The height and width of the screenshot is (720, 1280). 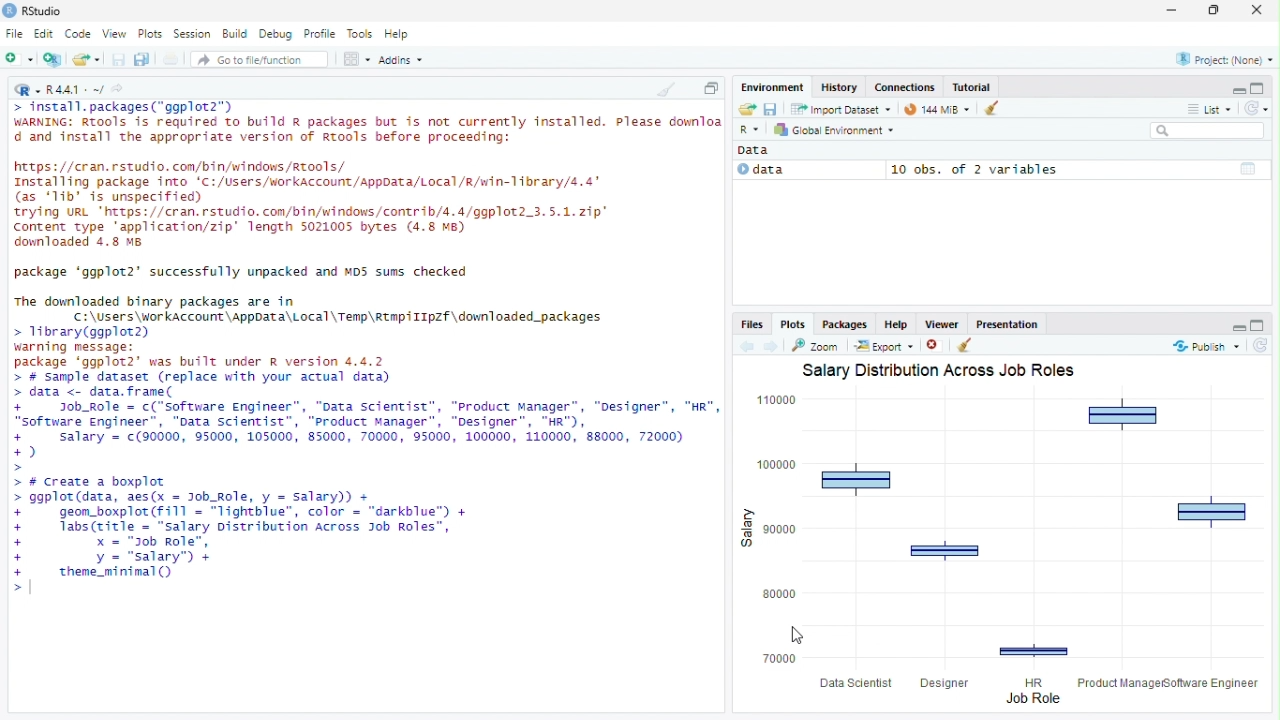 I want to click on Workspace panes, so click(x=356, y=58).